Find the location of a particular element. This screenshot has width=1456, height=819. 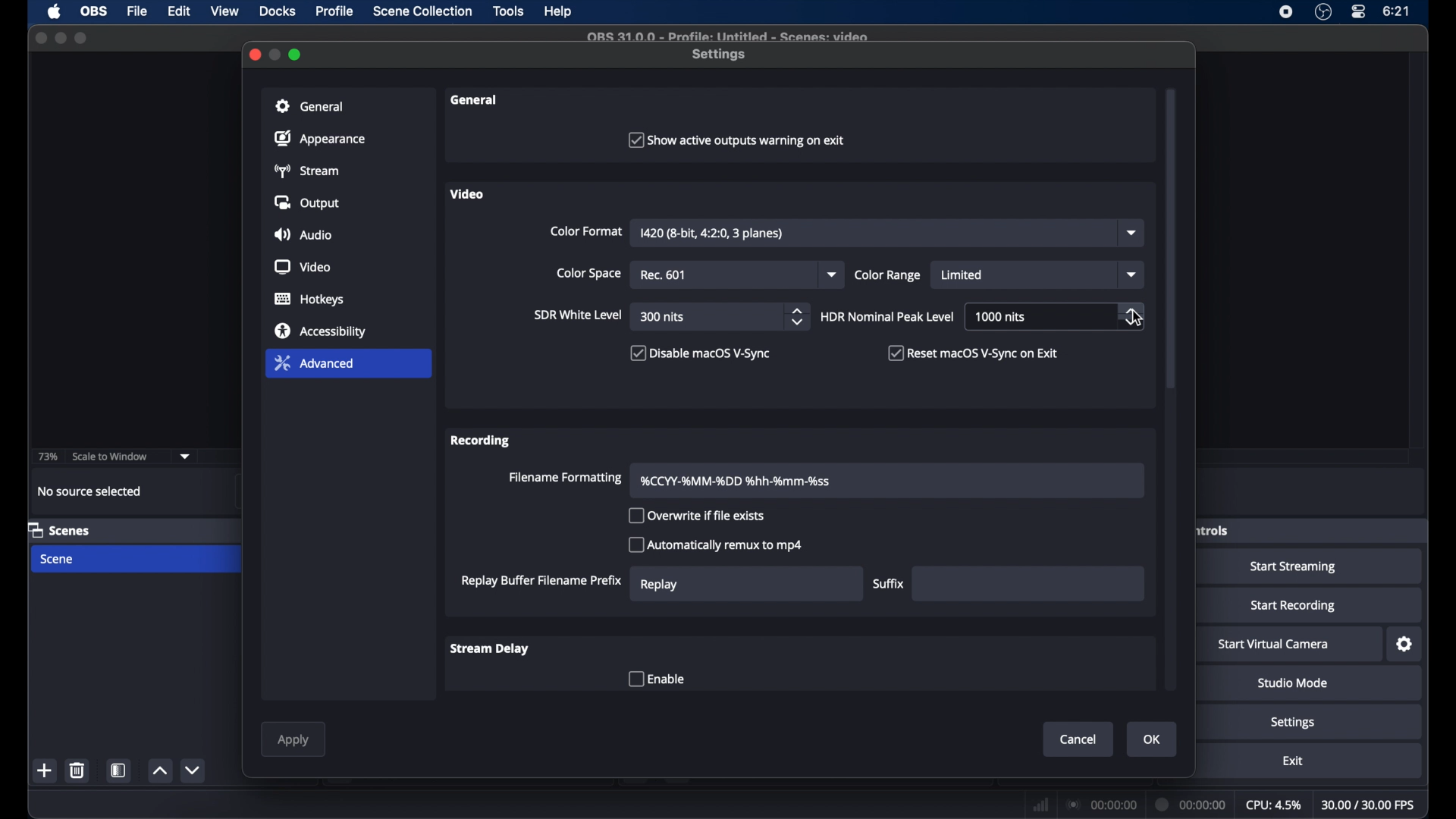

73% is located at coordinates (47, 457).